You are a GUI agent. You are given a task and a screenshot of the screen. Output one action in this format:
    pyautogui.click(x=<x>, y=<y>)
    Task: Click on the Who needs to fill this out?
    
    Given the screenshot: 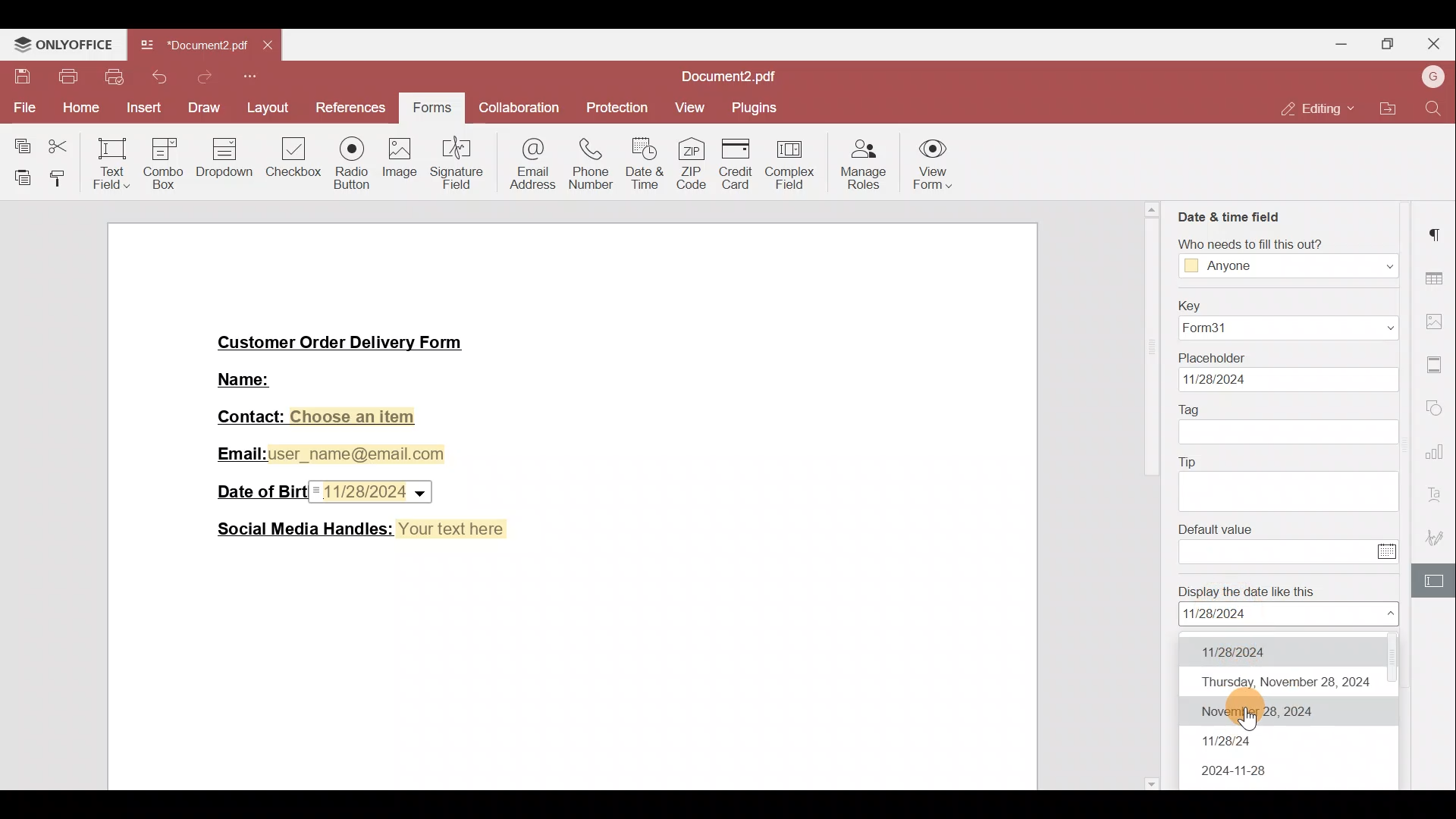 What is the action you would take?
    pyautogui.click(x=1252, y=243)
    